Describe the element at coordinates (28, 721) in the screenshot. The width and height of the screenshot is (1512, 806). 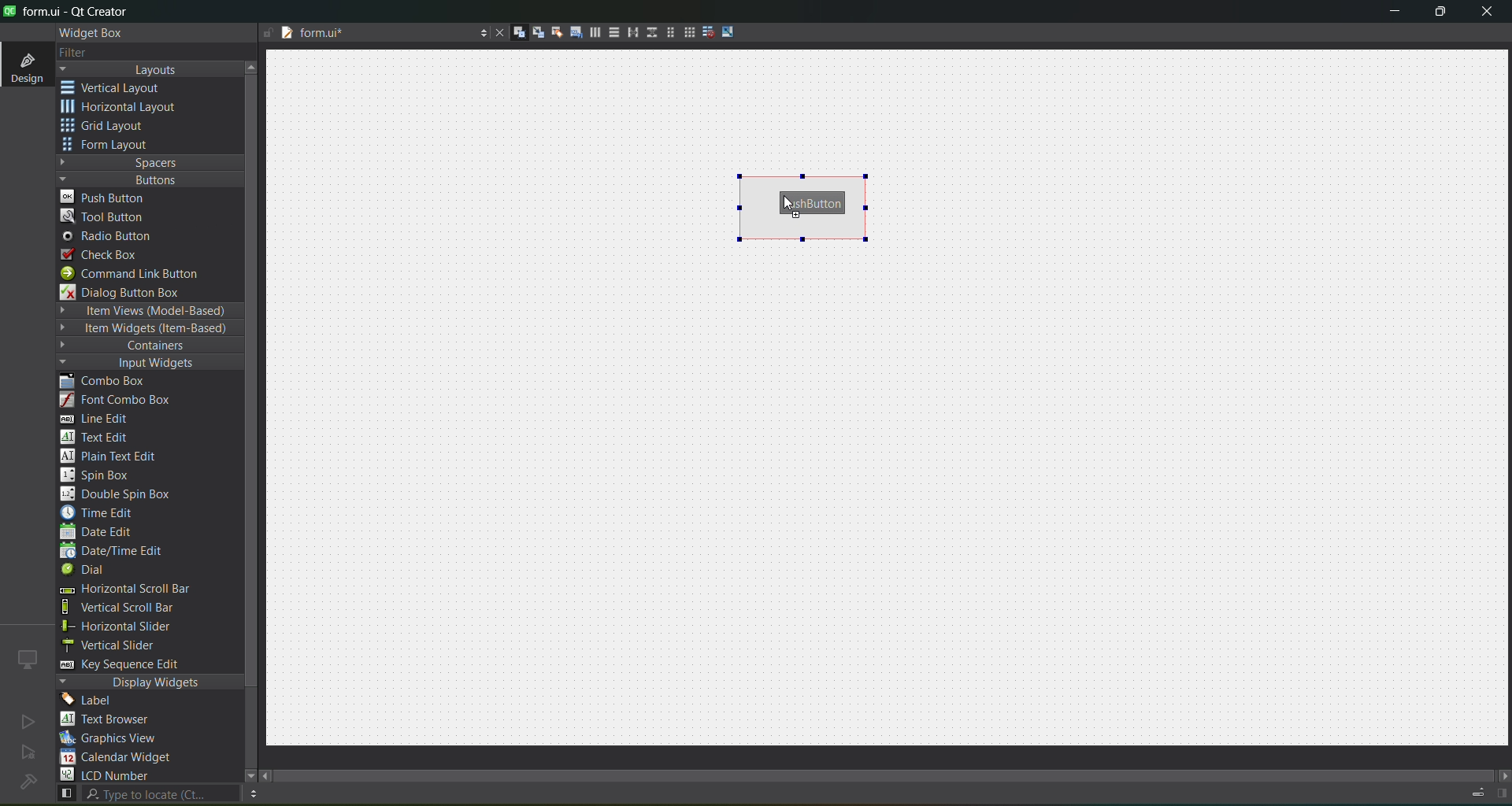
I see `no active project` at that location.